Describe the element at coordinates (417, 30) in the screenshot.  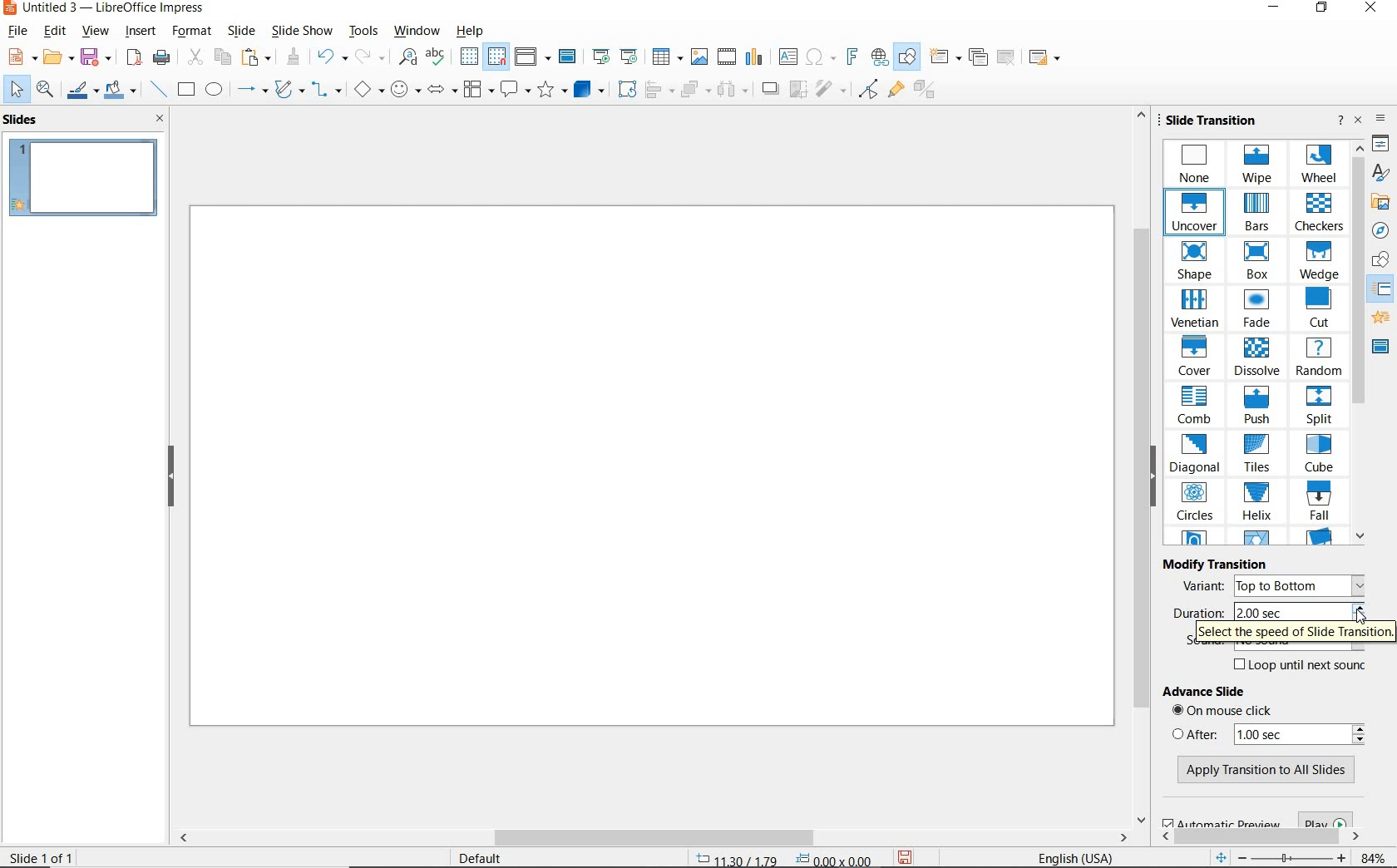
I see `WINDOW` at that location.